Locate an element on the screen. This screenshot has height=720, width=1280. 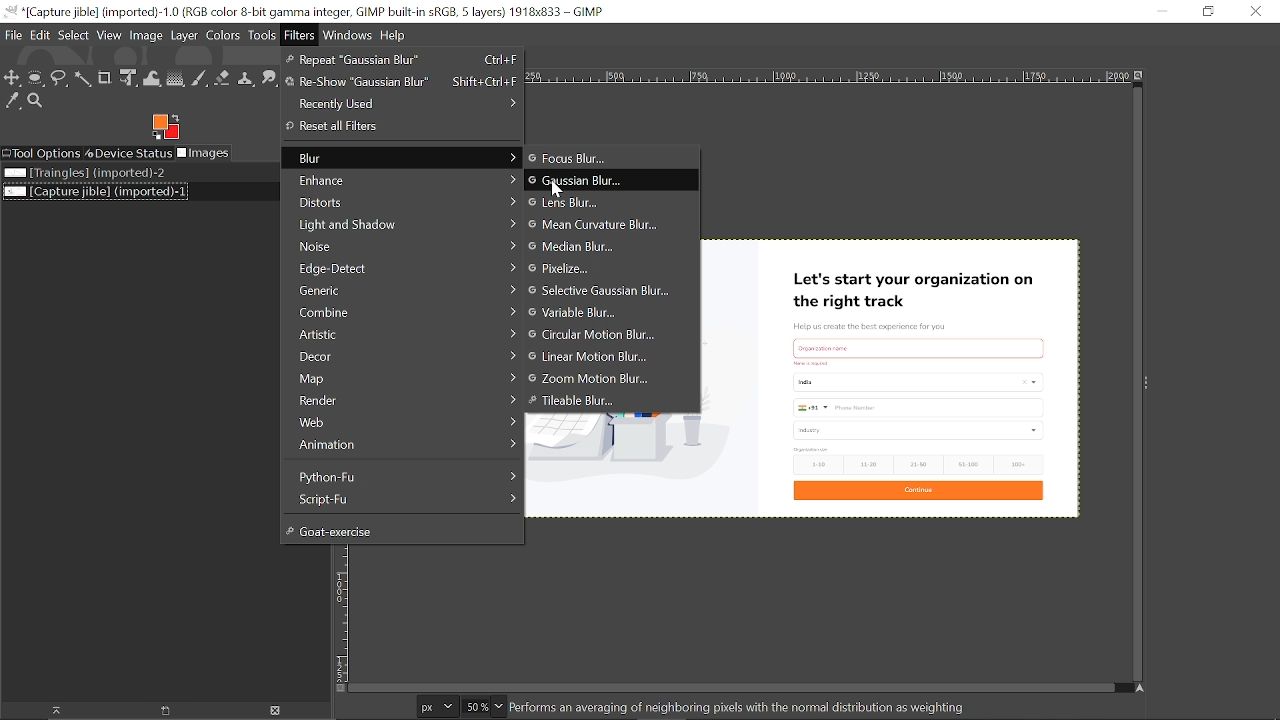
Map is located at coordinates (401, 378).